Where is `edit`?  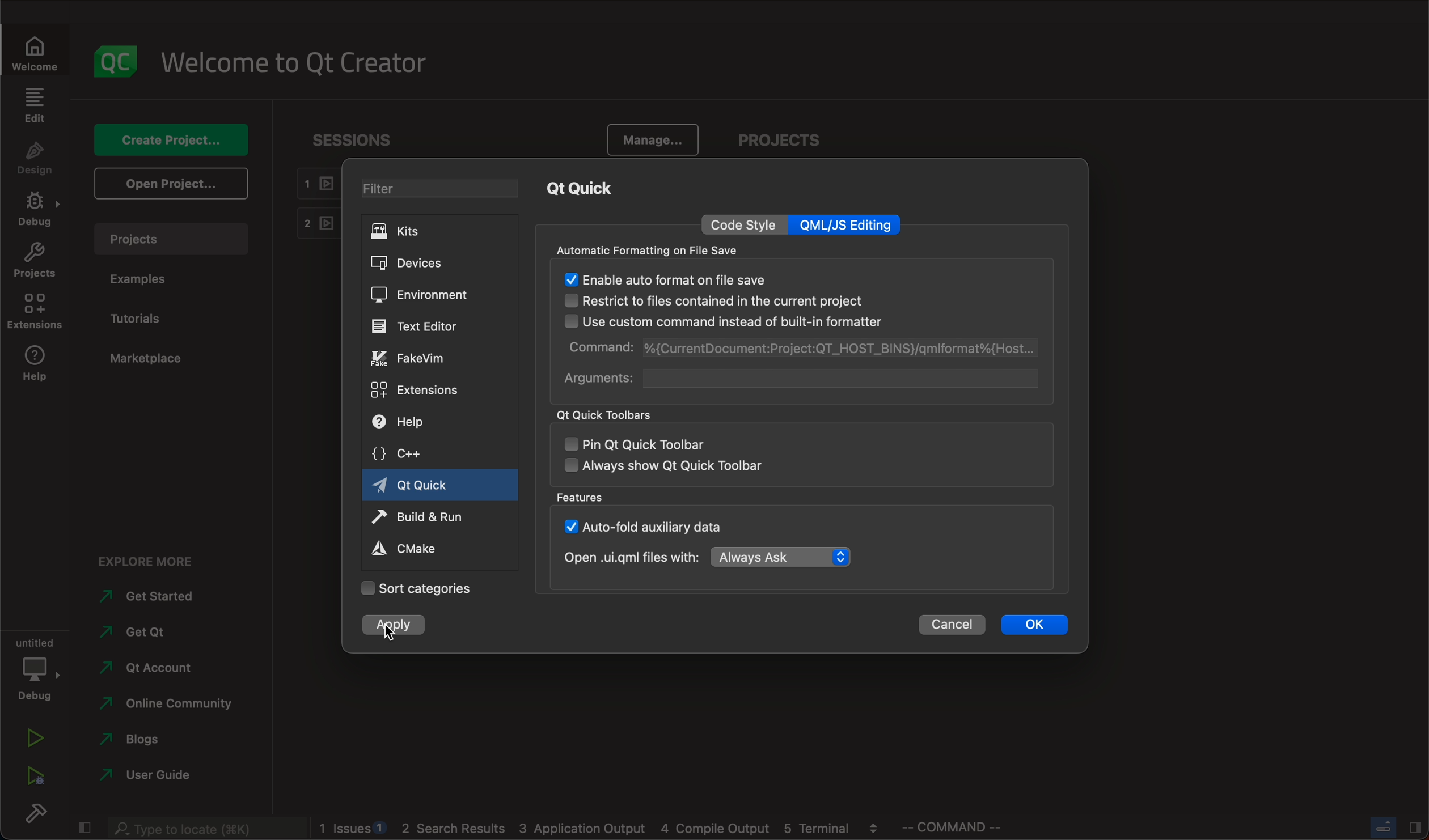
edit is located at coordinates (36, 106).